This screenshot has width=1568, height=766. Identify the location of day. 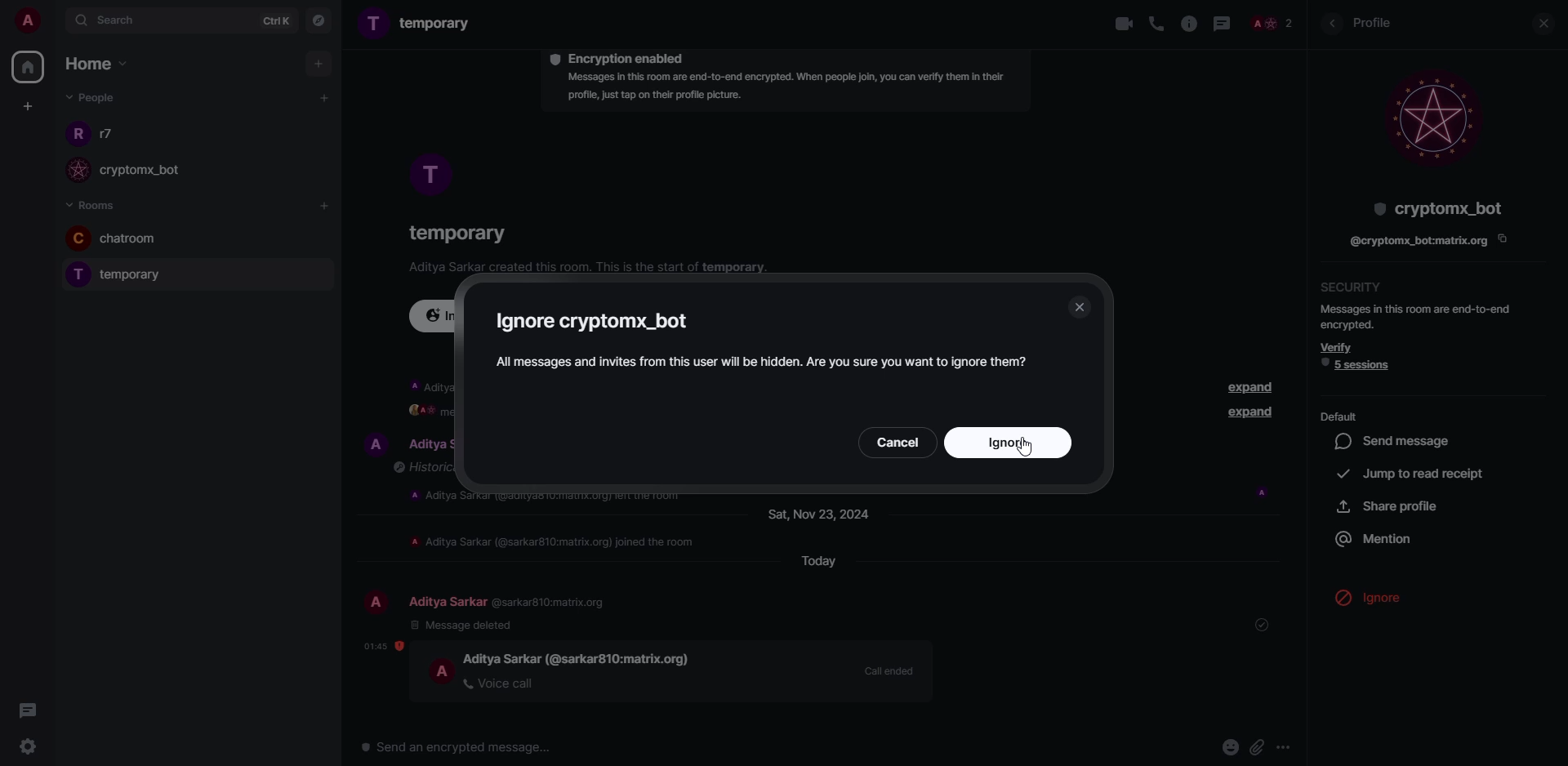
(826, 513).